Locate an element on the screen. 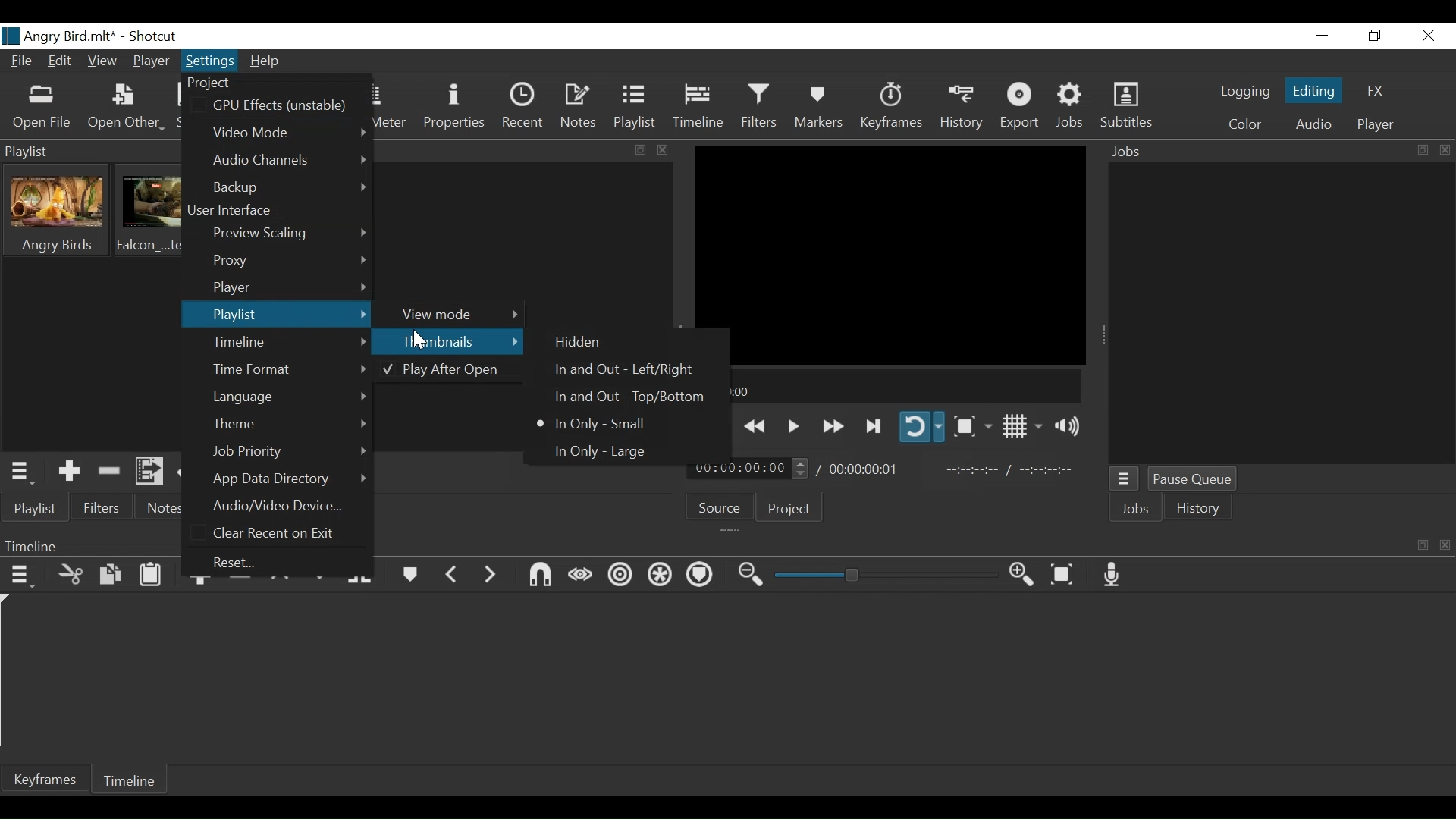  Update is located at coordinates (192, 473).